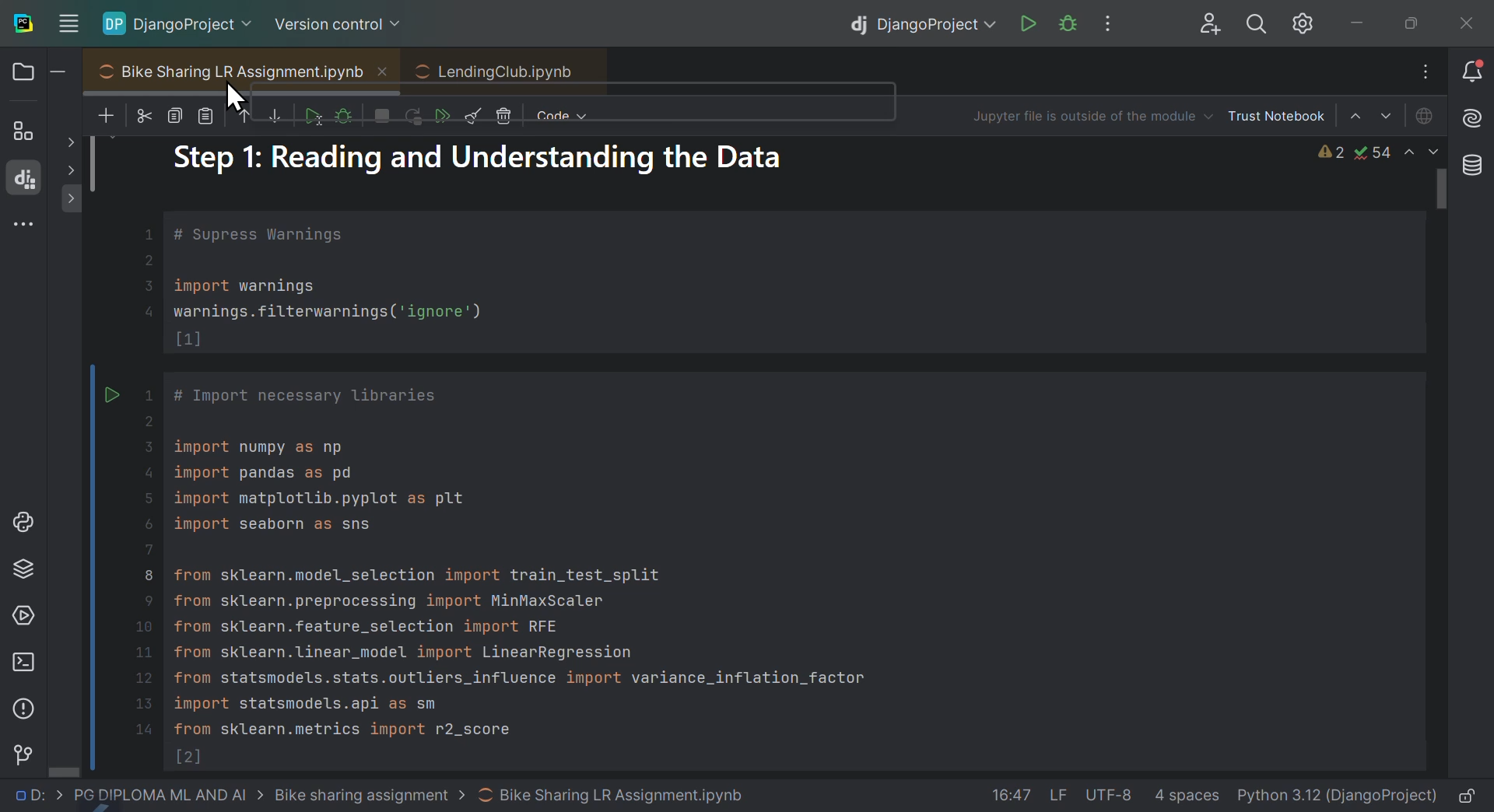 This screenshot has width=1494, height=812. I want to click on Django structure, so click(23, 178).